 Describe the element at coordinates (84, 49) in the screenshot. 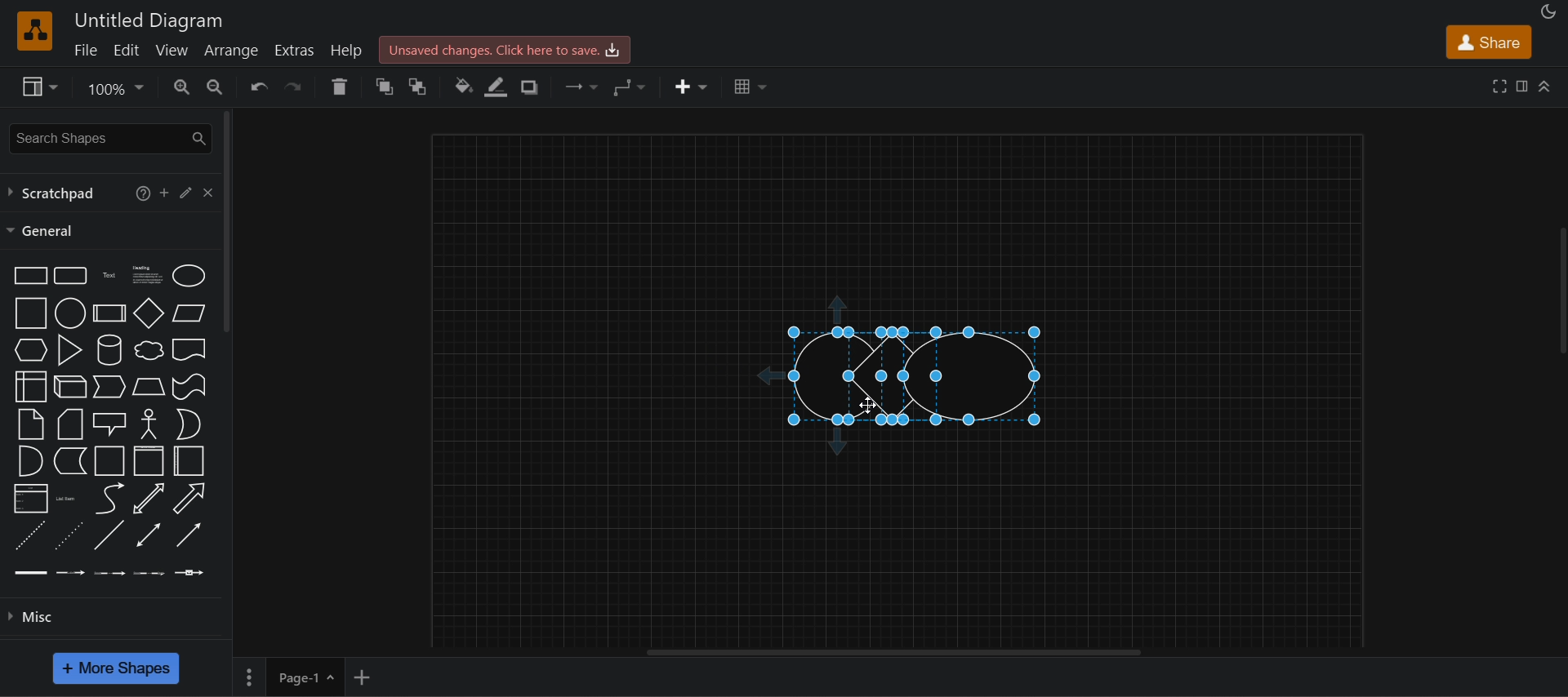

I see `file` at that location.